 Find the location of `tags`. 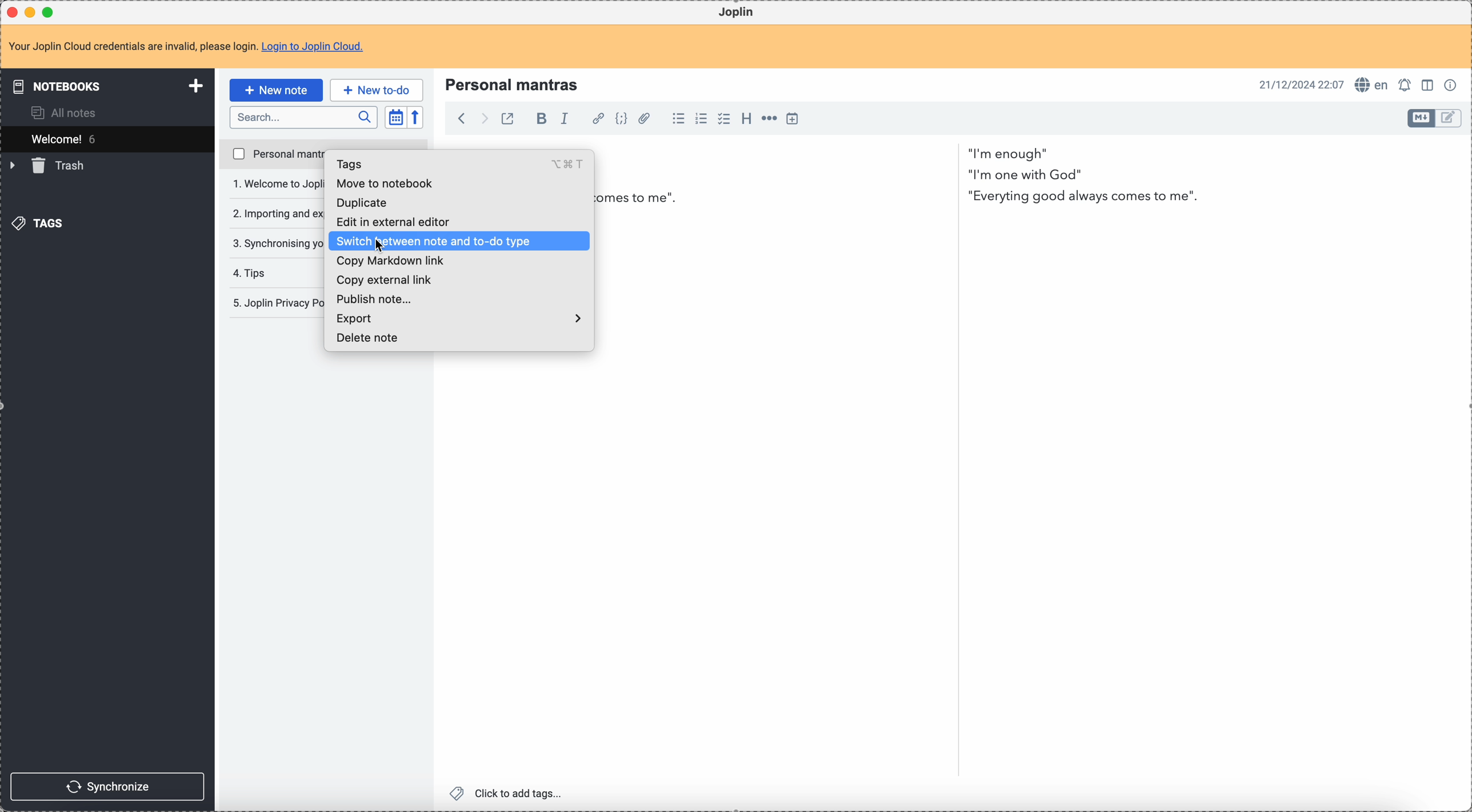

tags is located at coordinates (37, 223).